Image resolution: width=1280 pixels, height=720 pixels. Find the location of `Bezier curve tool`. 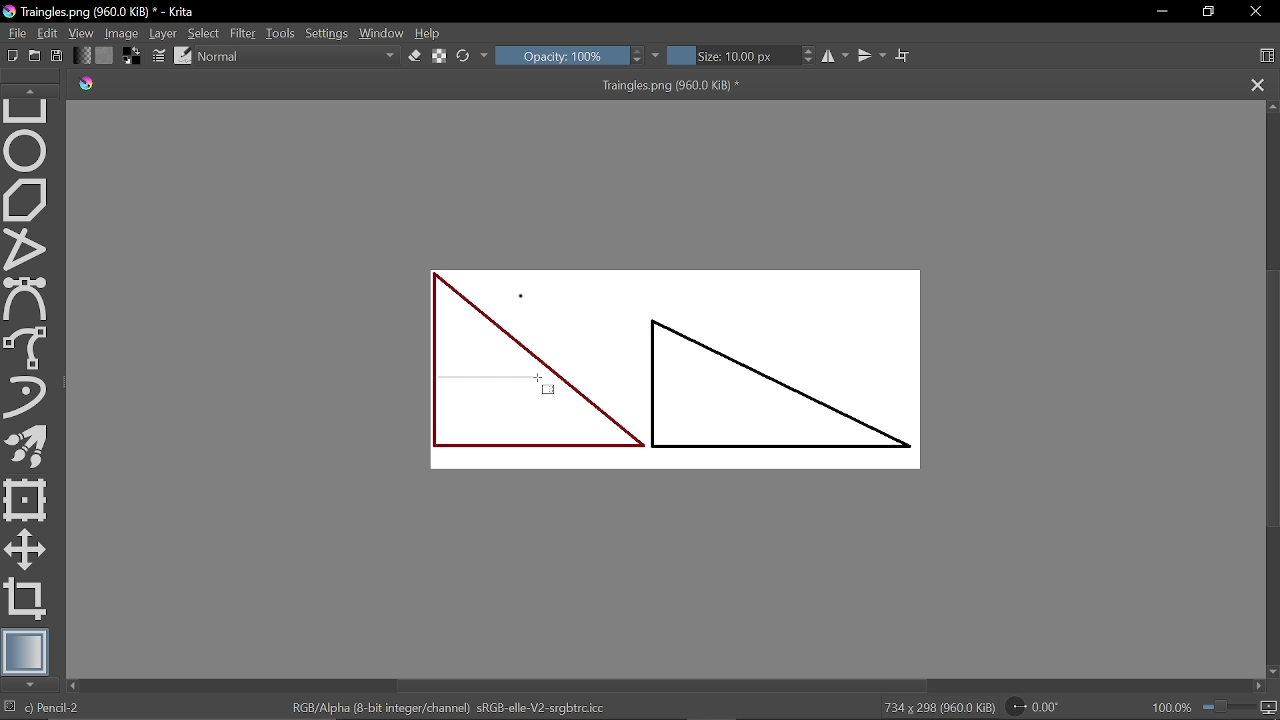

Bezier curve tool is located at coordinates (28, 300).